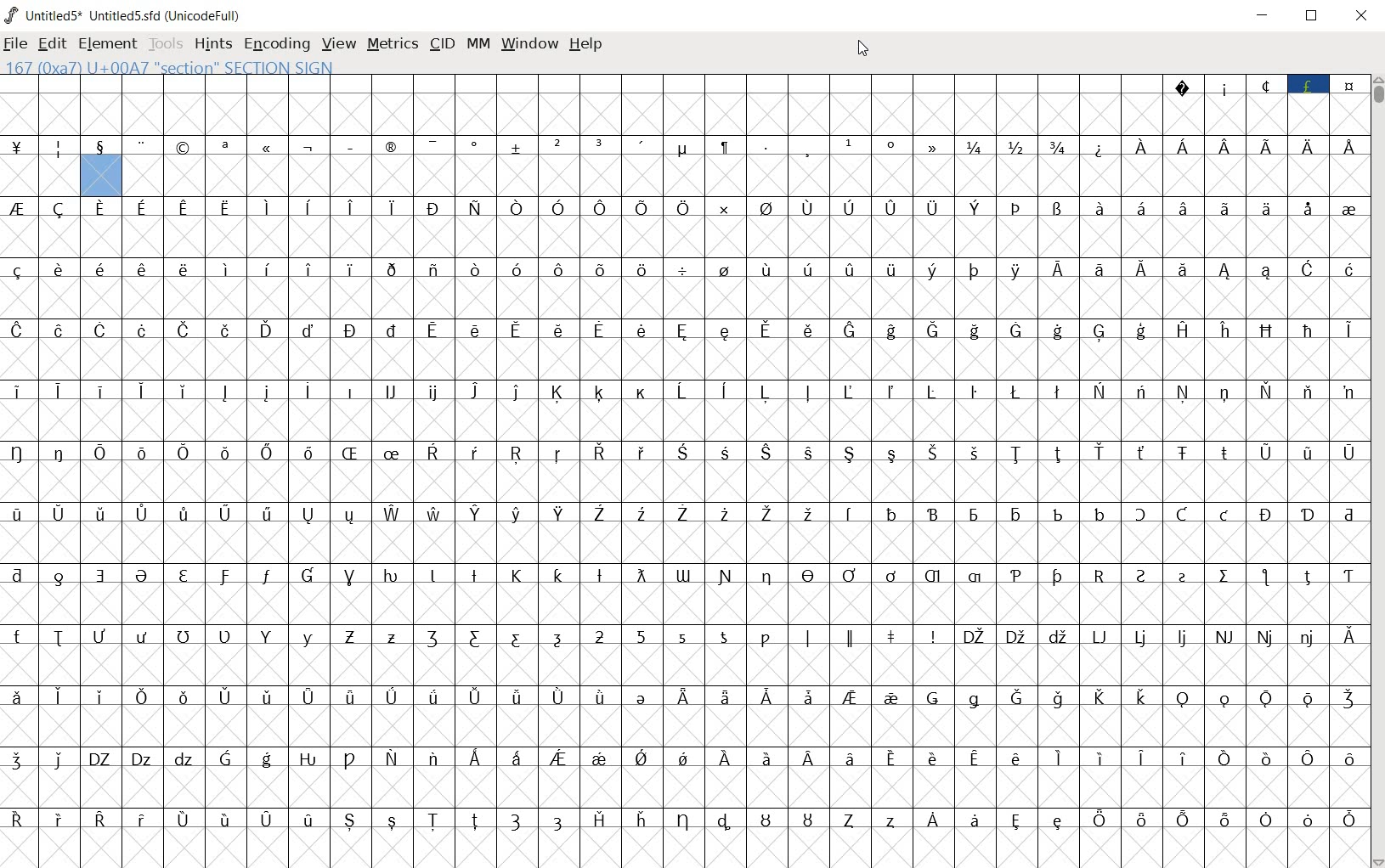  What do you see at coordinates (122, 15) in the screenshot?
I see `Untitled1 Untitled1.sfd (UnicodeFull)` at bounding box center [122, 15].